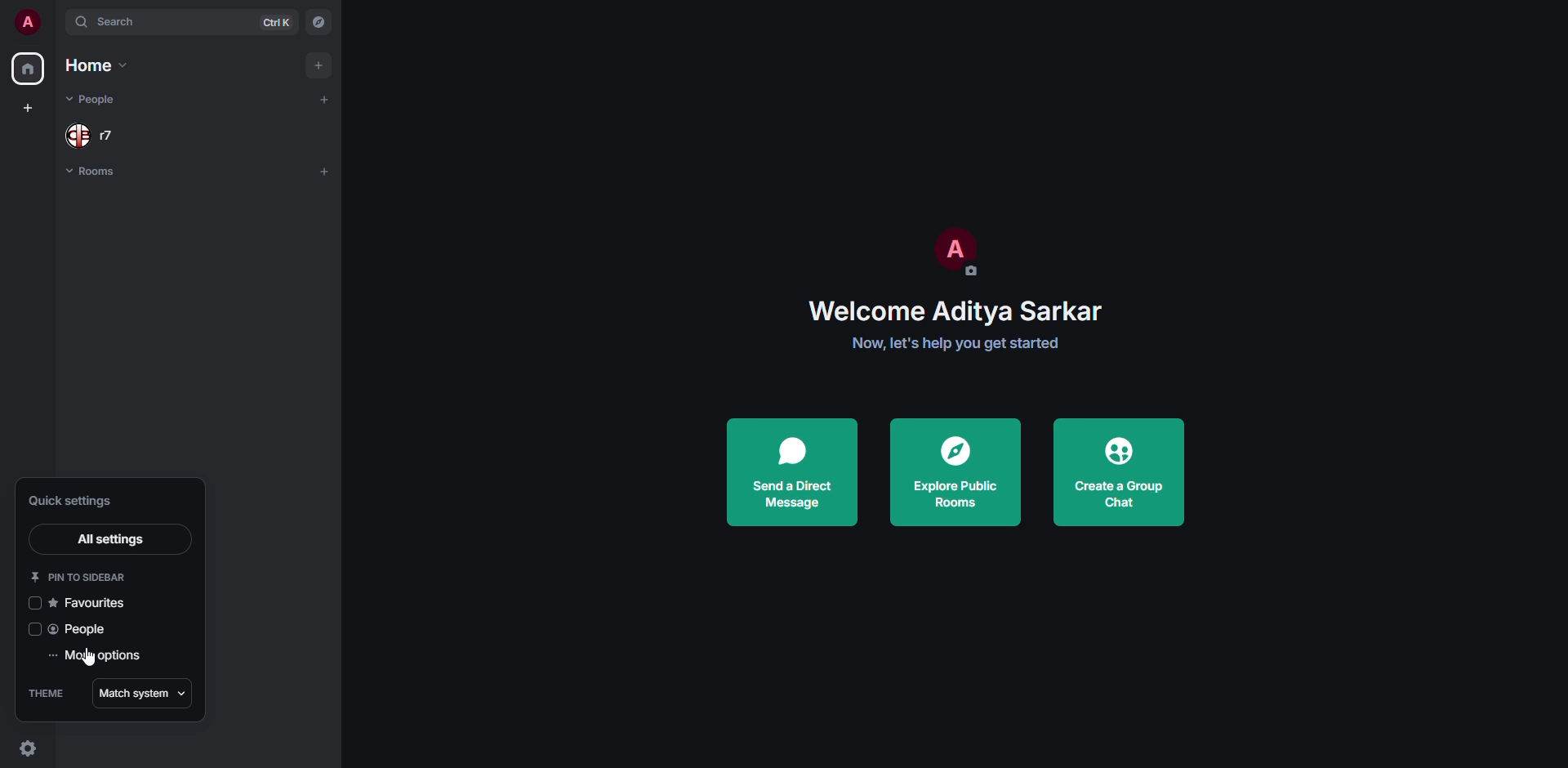 The width and height of the screenshot is (1568, 768). What do you see at coordinates (49, 692) in the screenshot?
I see `theme` at bounding box center [49, 692].